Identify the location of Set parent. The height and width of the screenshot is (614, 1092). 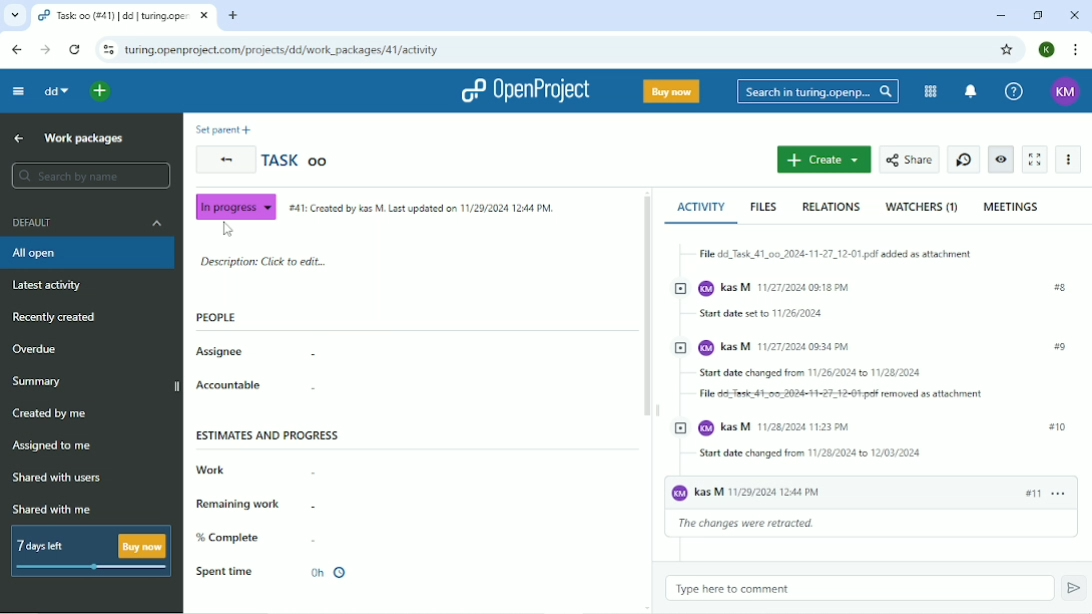
(223, 129).